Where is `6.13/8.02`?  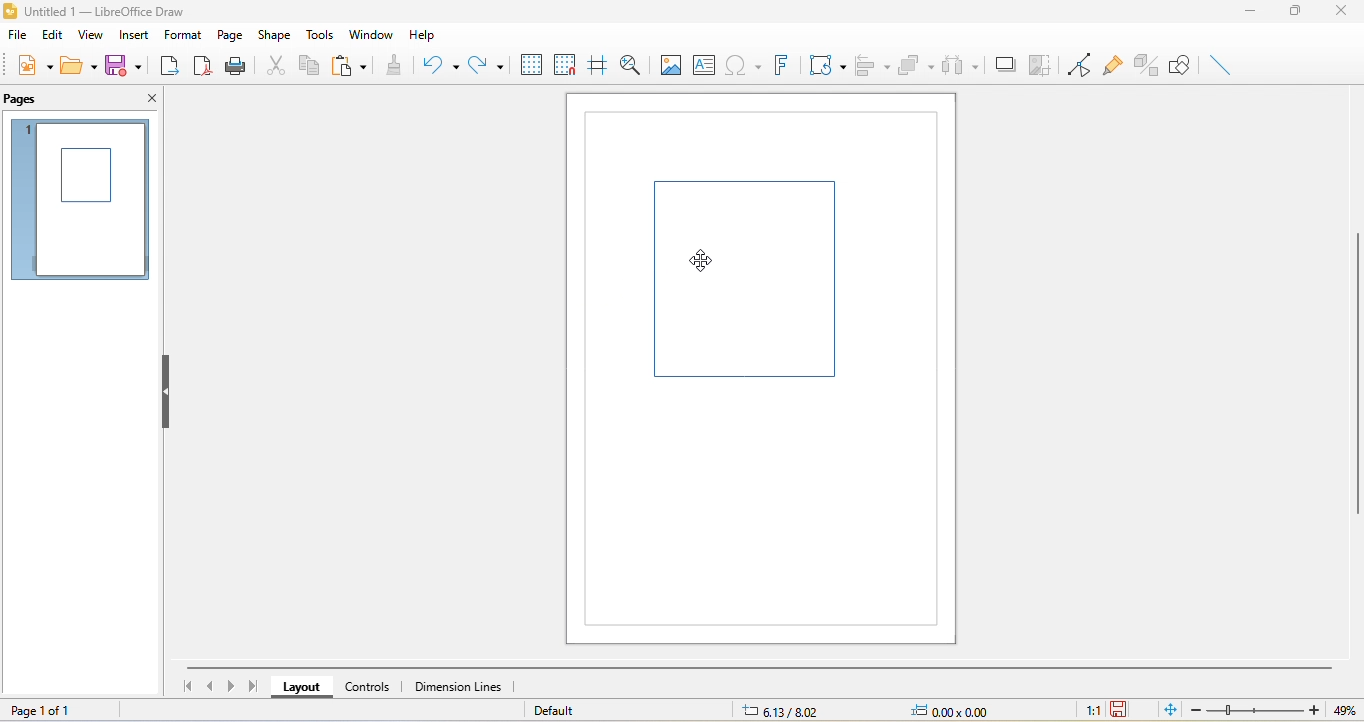
6.13/8.02 is located at coordinates (791, 710).